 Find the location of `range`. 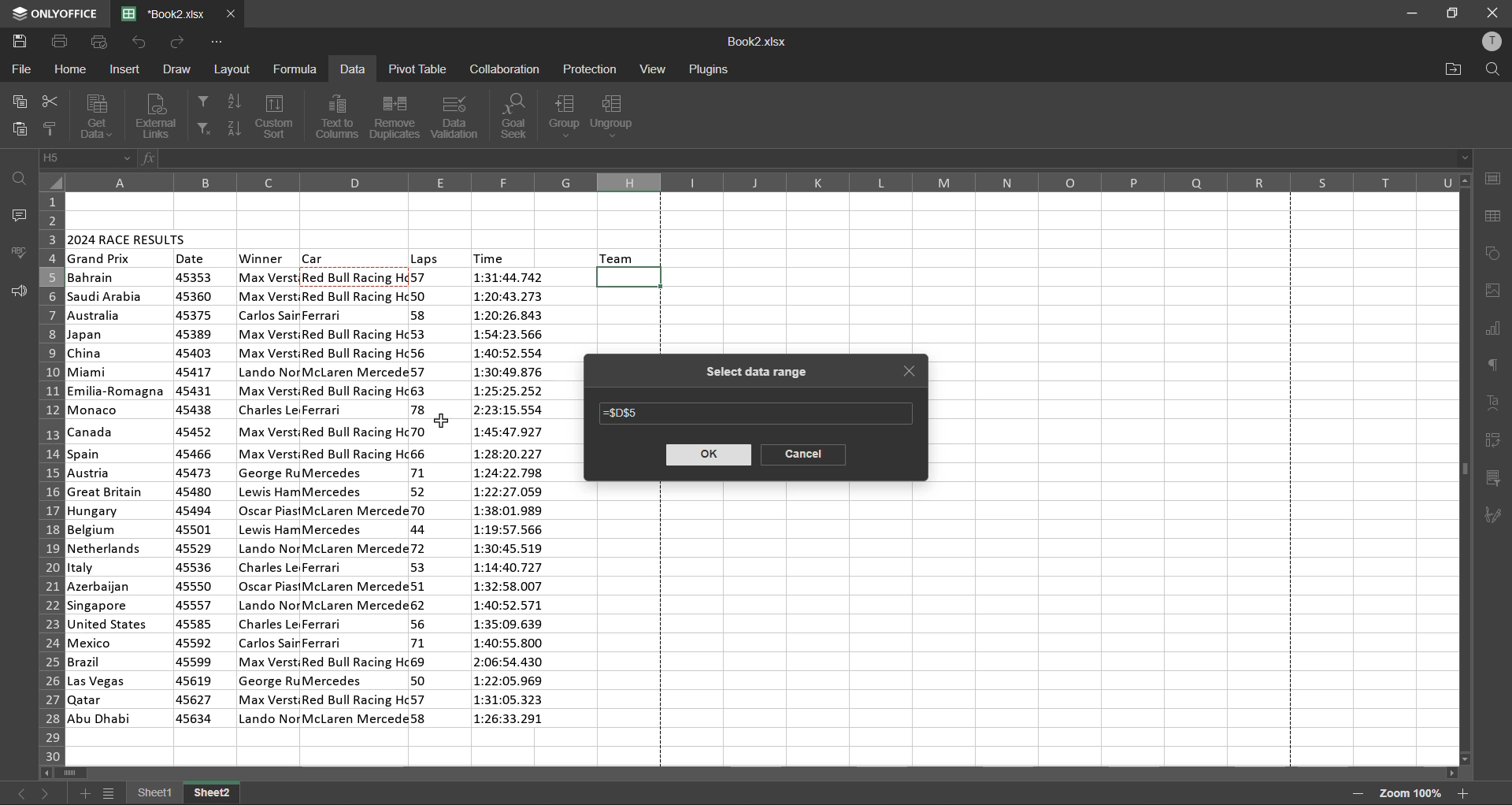

range is located at coordinates (626, 416).